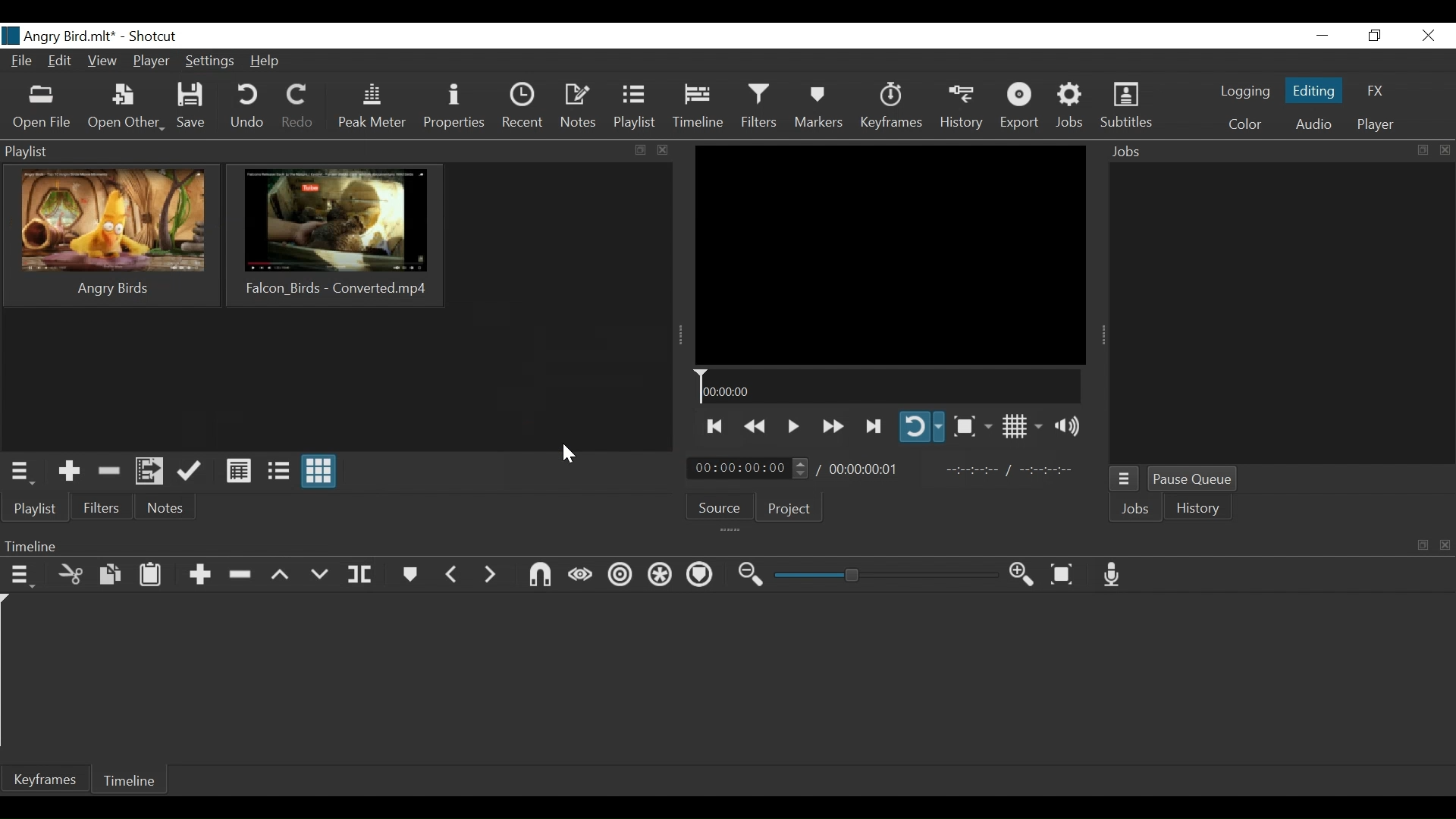  I want to click on File name, so click(60, 35).